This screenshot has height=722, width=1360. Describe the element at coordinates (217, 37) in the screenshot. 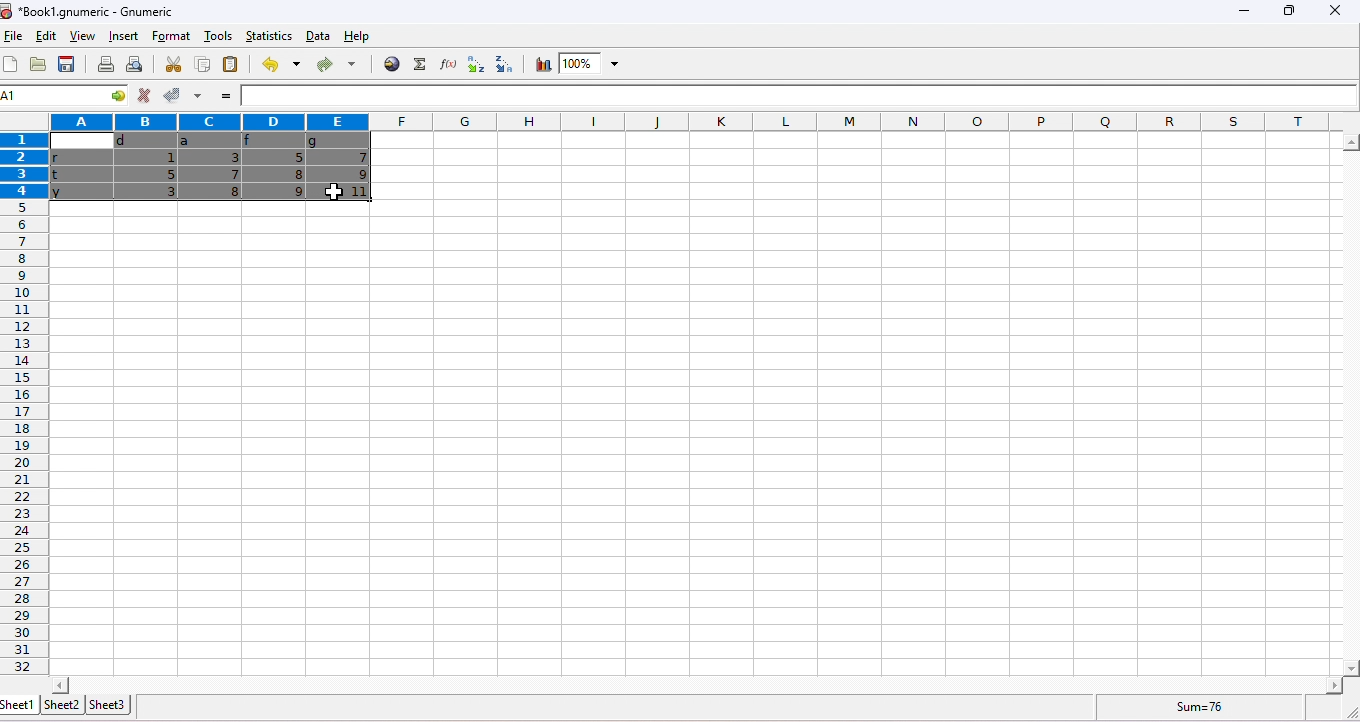

I see `tools` at that location.